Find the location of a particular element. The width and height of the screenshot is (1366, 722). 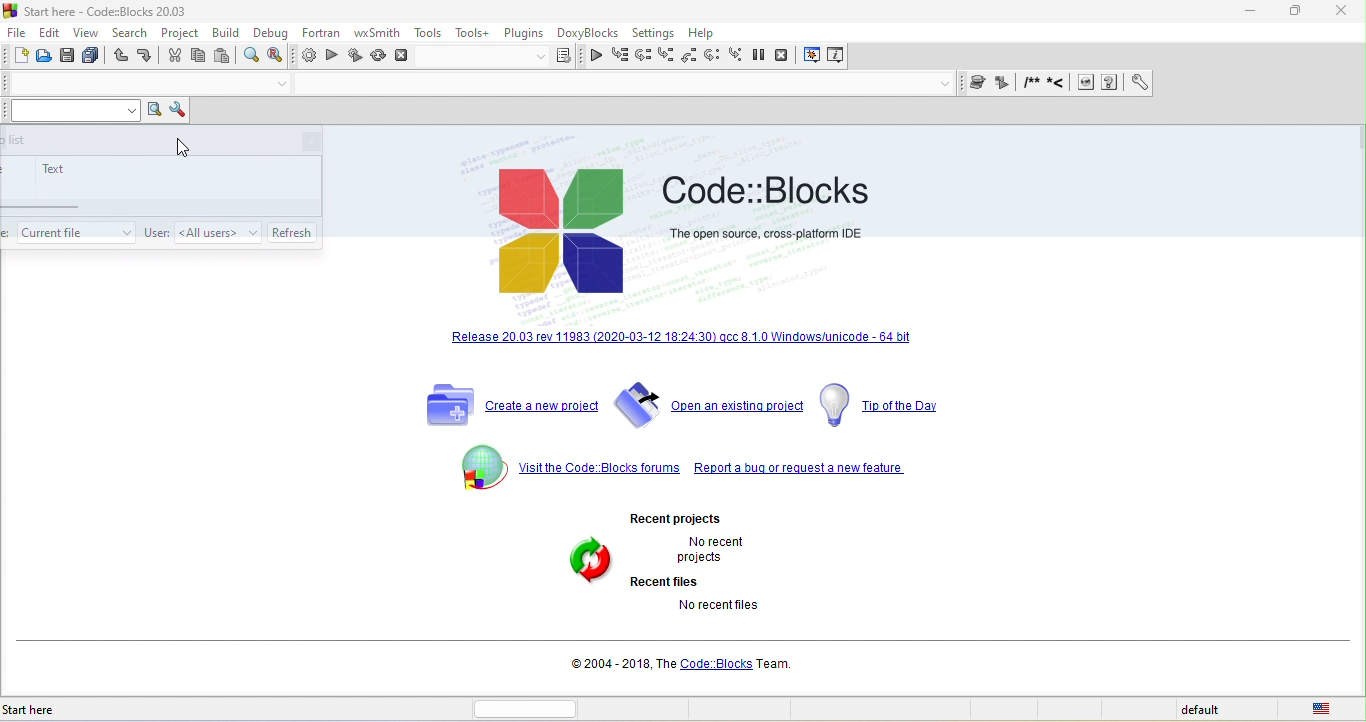

line comment is located at coordinates (1060, 84).